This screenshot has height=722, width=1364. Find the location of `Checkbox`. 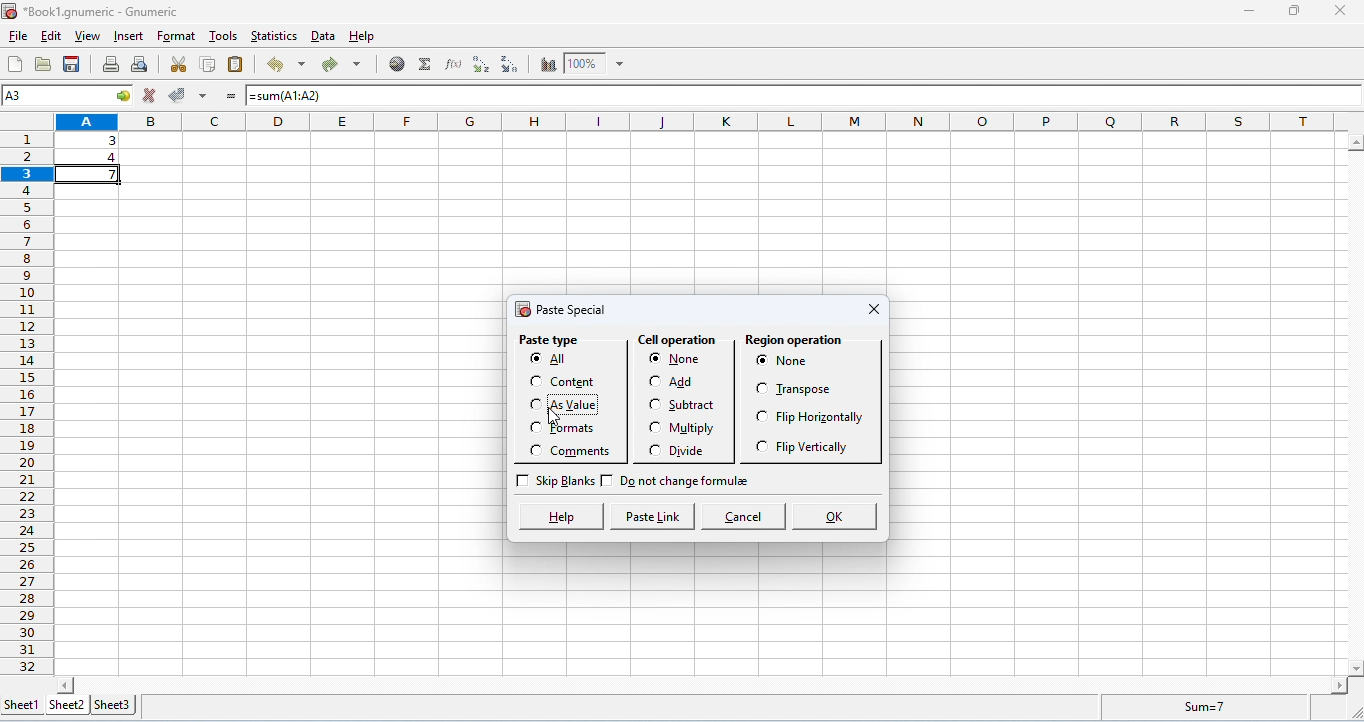

Checkbox is located at coordinates (535, 451).